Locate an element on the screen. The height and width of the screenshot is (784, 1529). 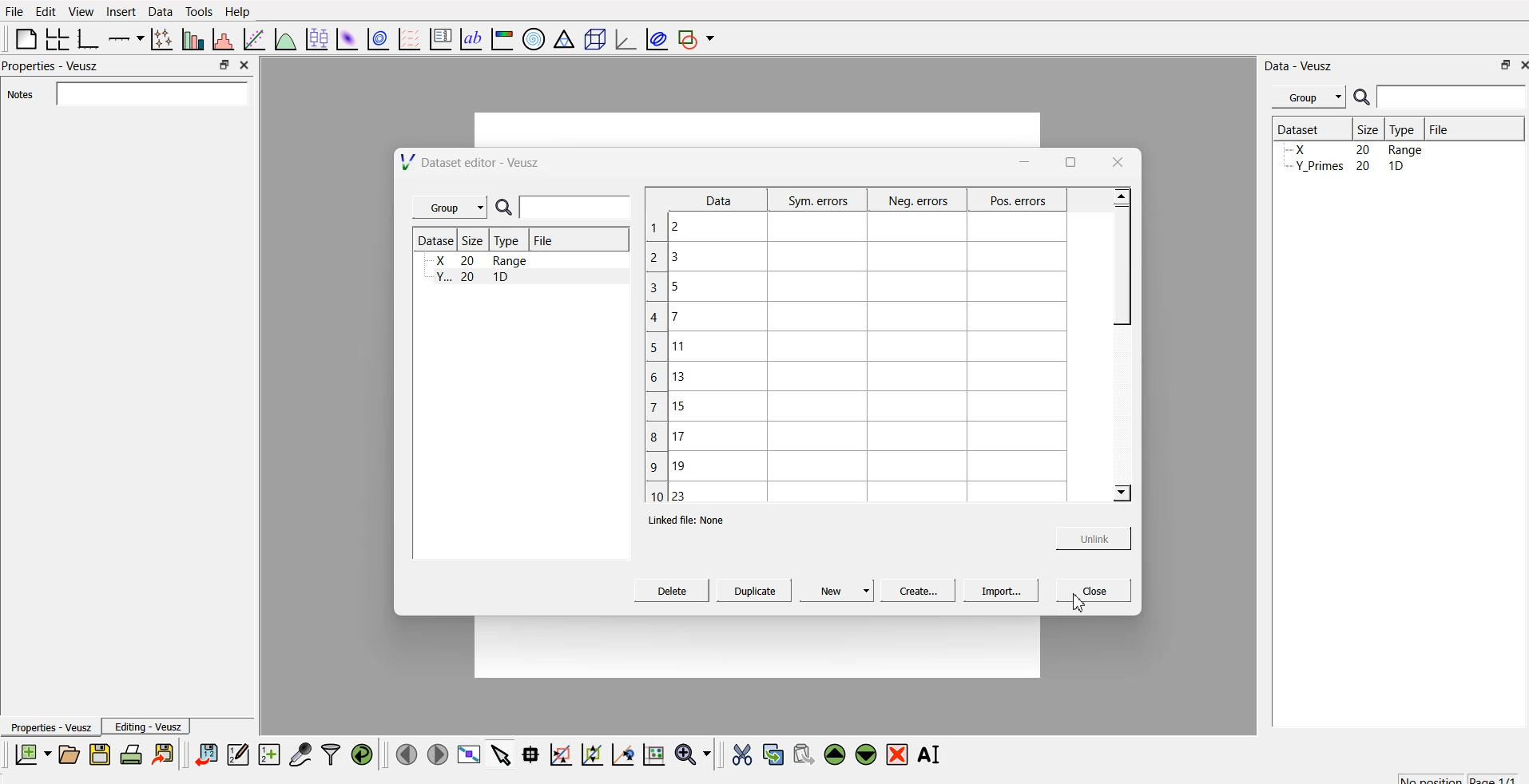
Data is located at coordinates (716, 200).